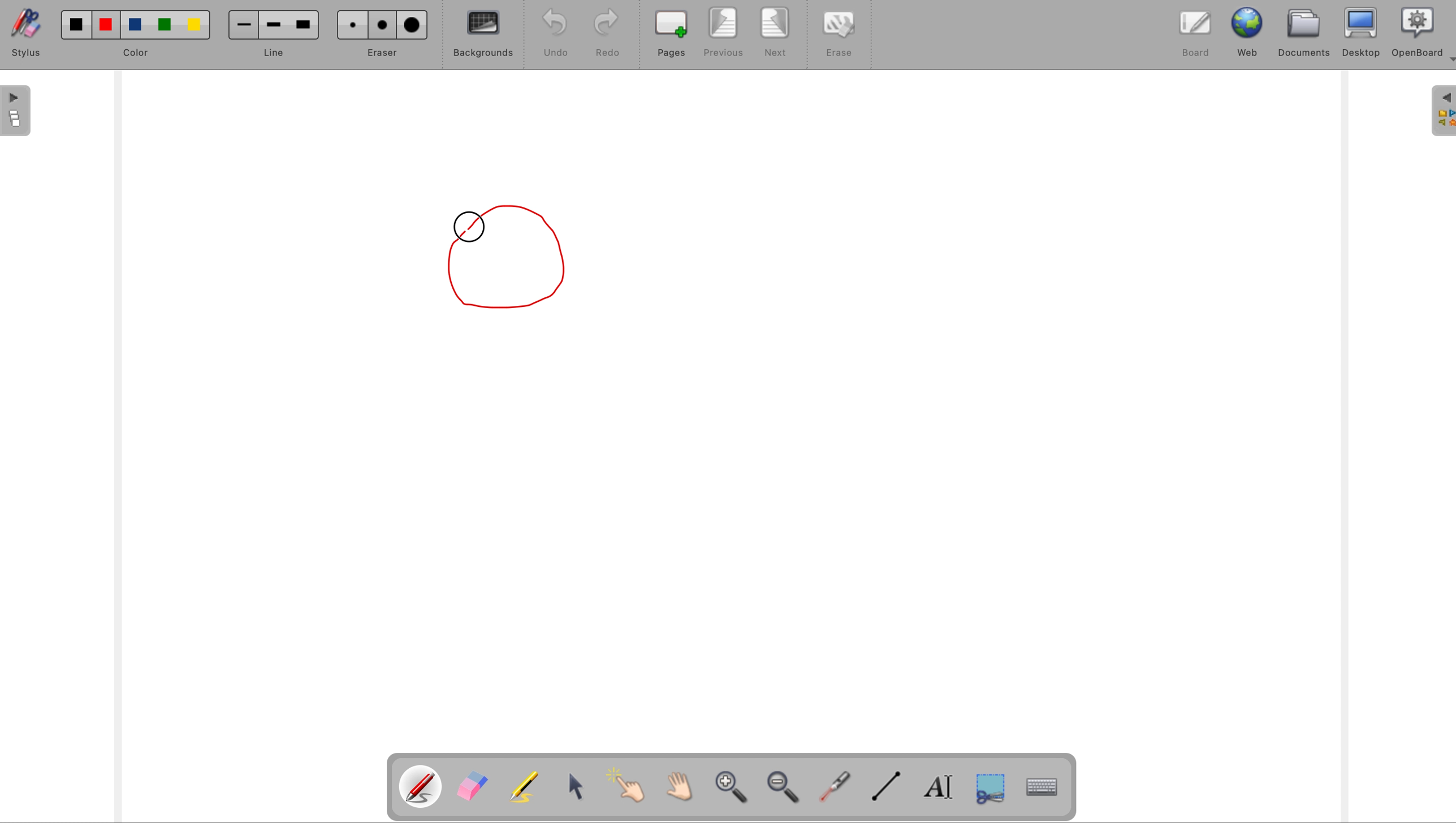 The width and height of the screenshot is (1456, 823). I want to click on undo, so click(556, 33).